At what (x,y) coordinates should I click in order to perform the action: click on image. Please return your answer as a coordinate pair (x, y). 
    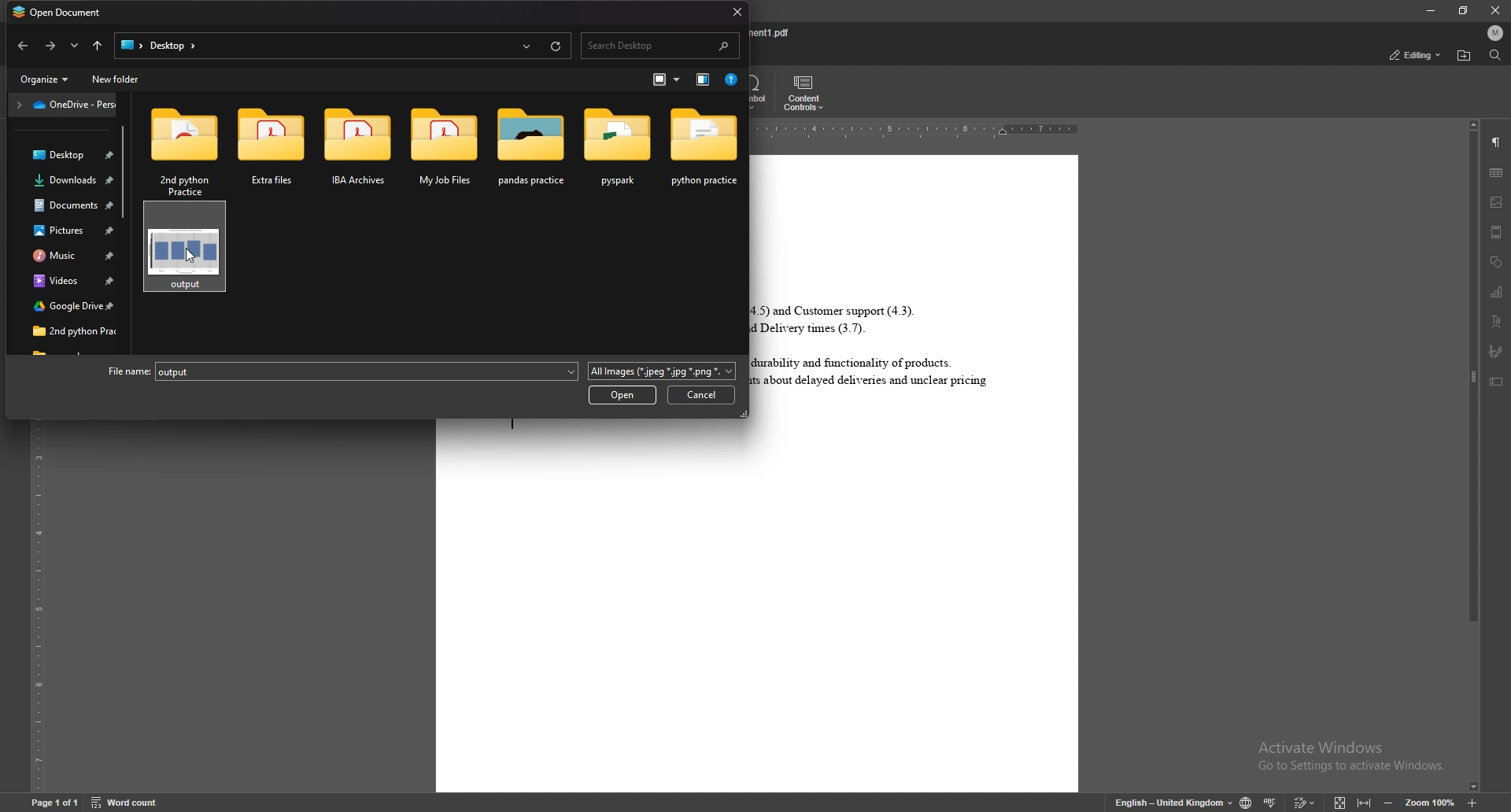
    Looking at the image, I should click on (1498, 202).